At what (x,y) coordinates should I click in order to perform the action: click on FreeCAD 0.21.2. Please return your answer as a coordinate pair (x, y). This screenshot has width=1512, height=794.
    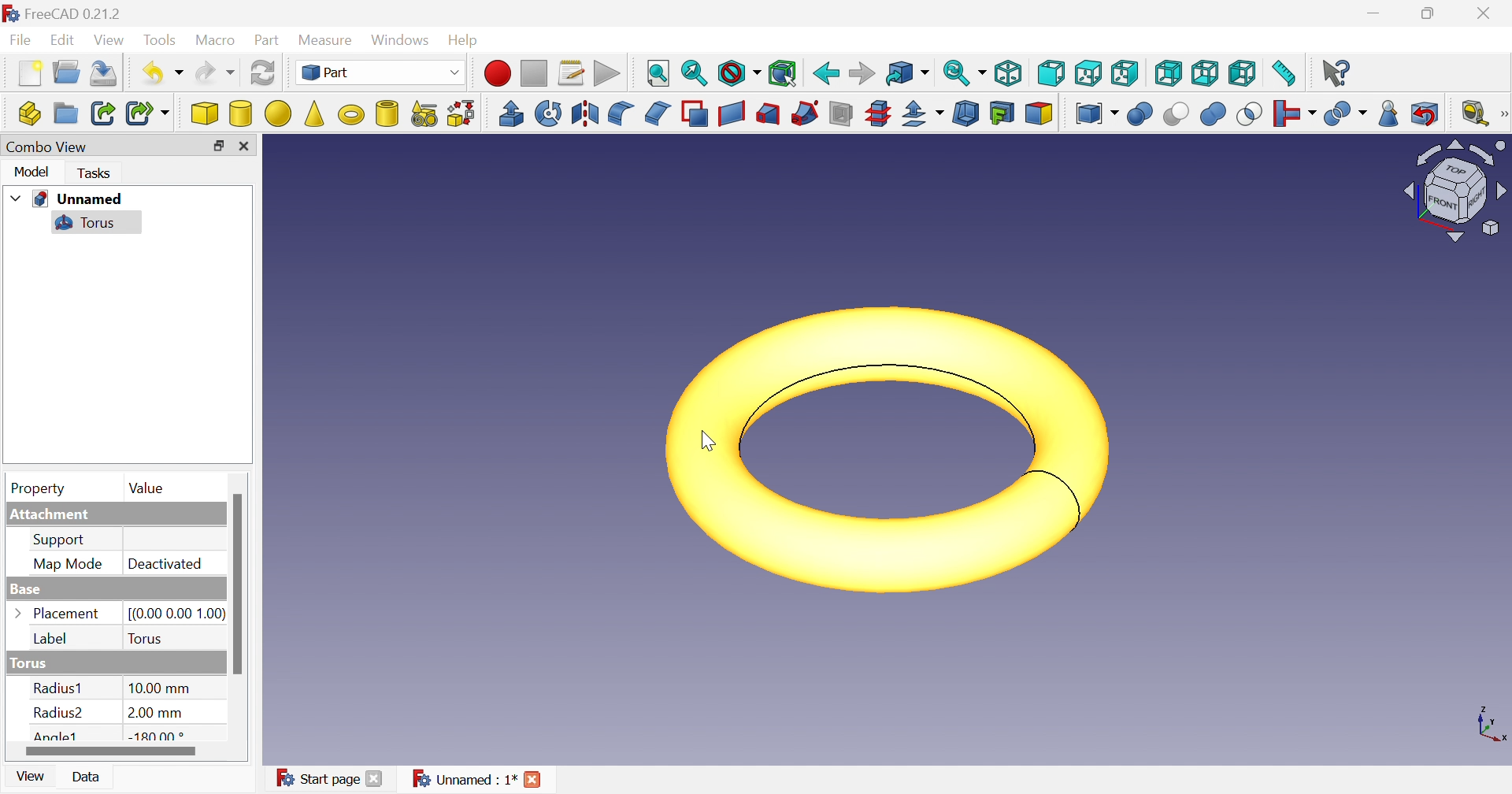
    Looking at the image, I should click on (72, 16).